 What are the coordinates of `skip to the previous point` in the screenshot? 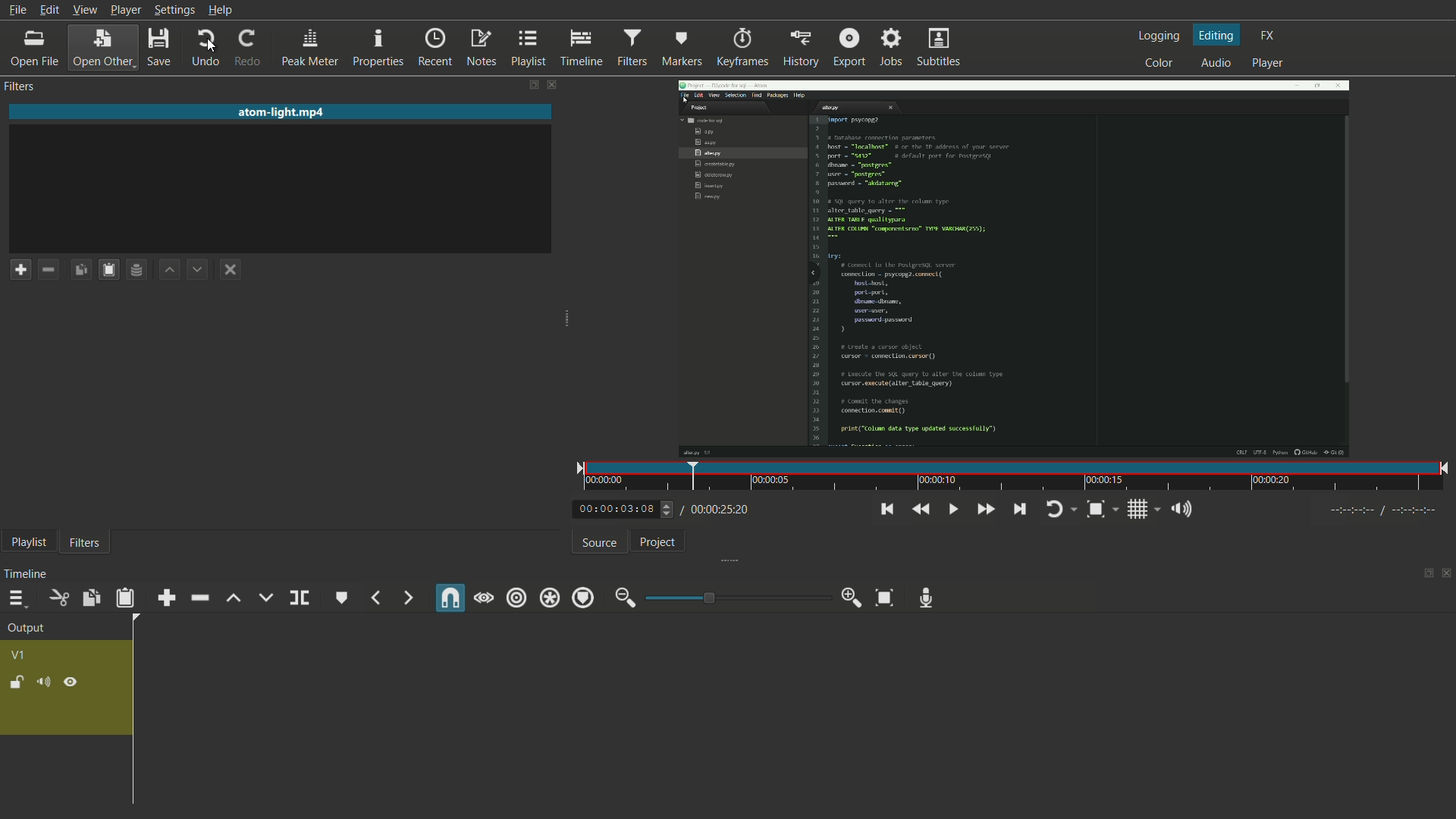 It's located at (886, 510).